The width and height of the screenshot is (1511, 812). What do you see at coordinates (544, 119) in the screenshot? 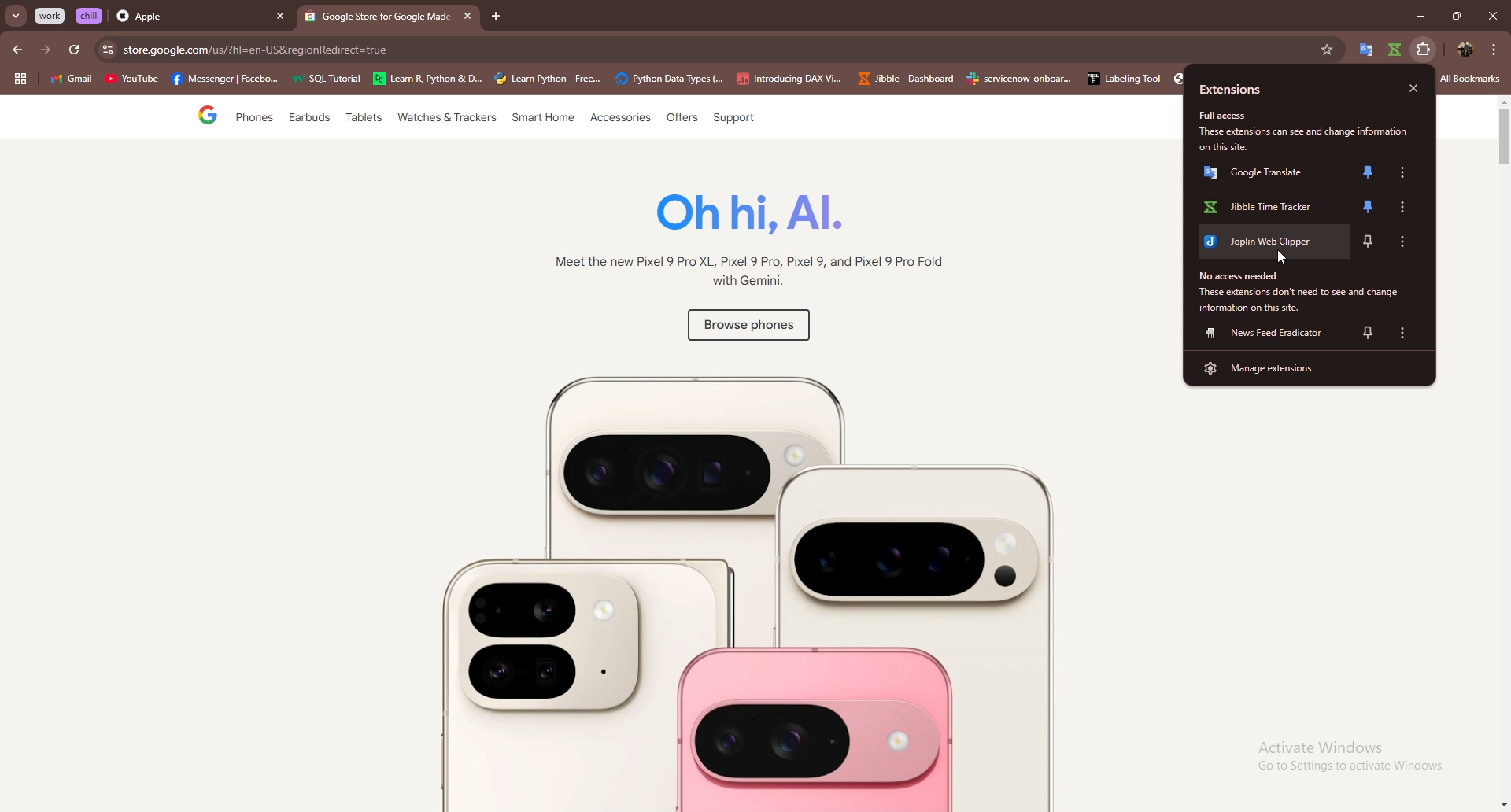
I see `‘Smart Home` at bounding box center [544, 119].